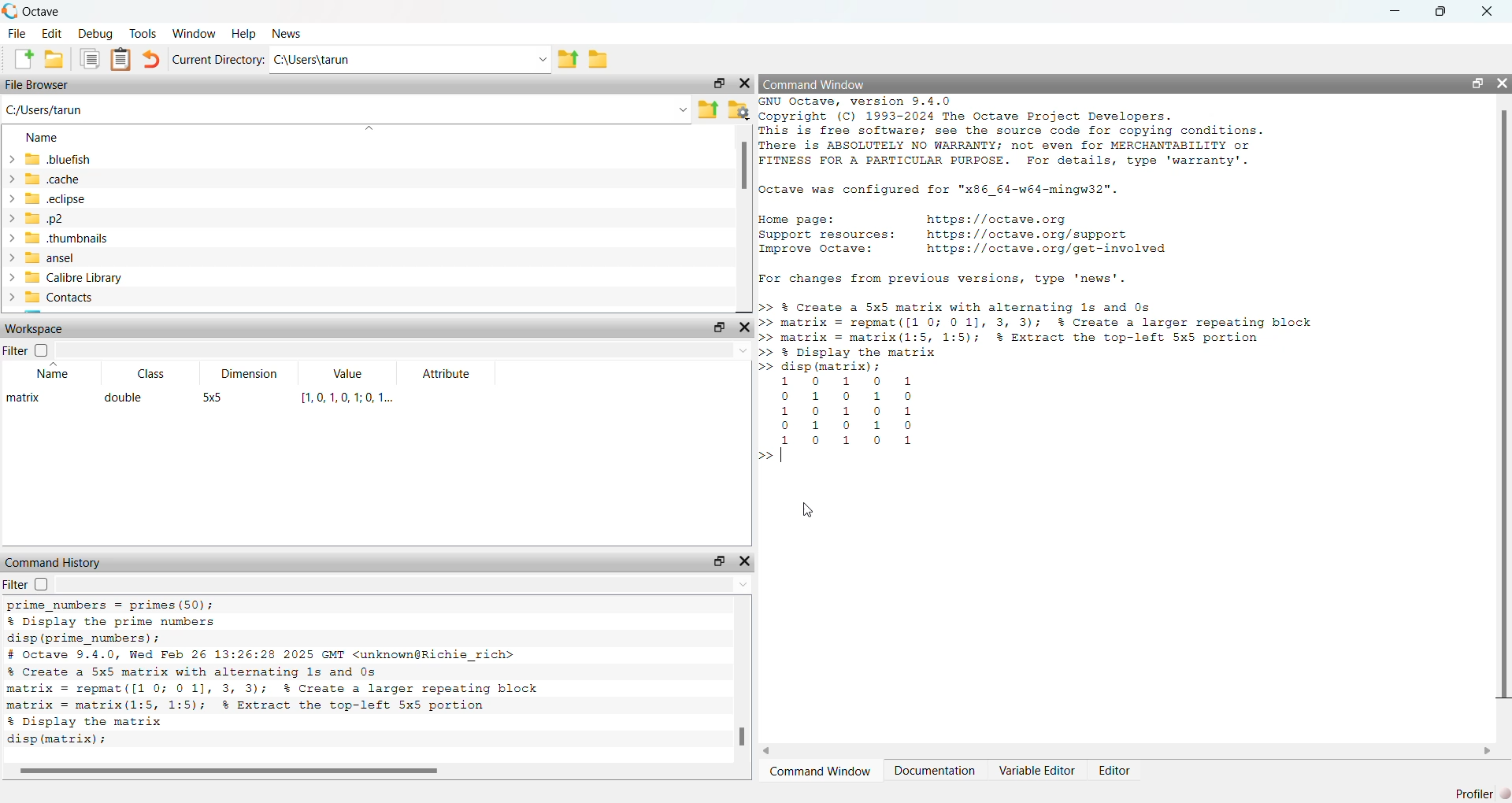 The image size is (1512, 803). Describe the element at coordinates (744, 165) in the screenshot. I see `scroll bar` at that location.